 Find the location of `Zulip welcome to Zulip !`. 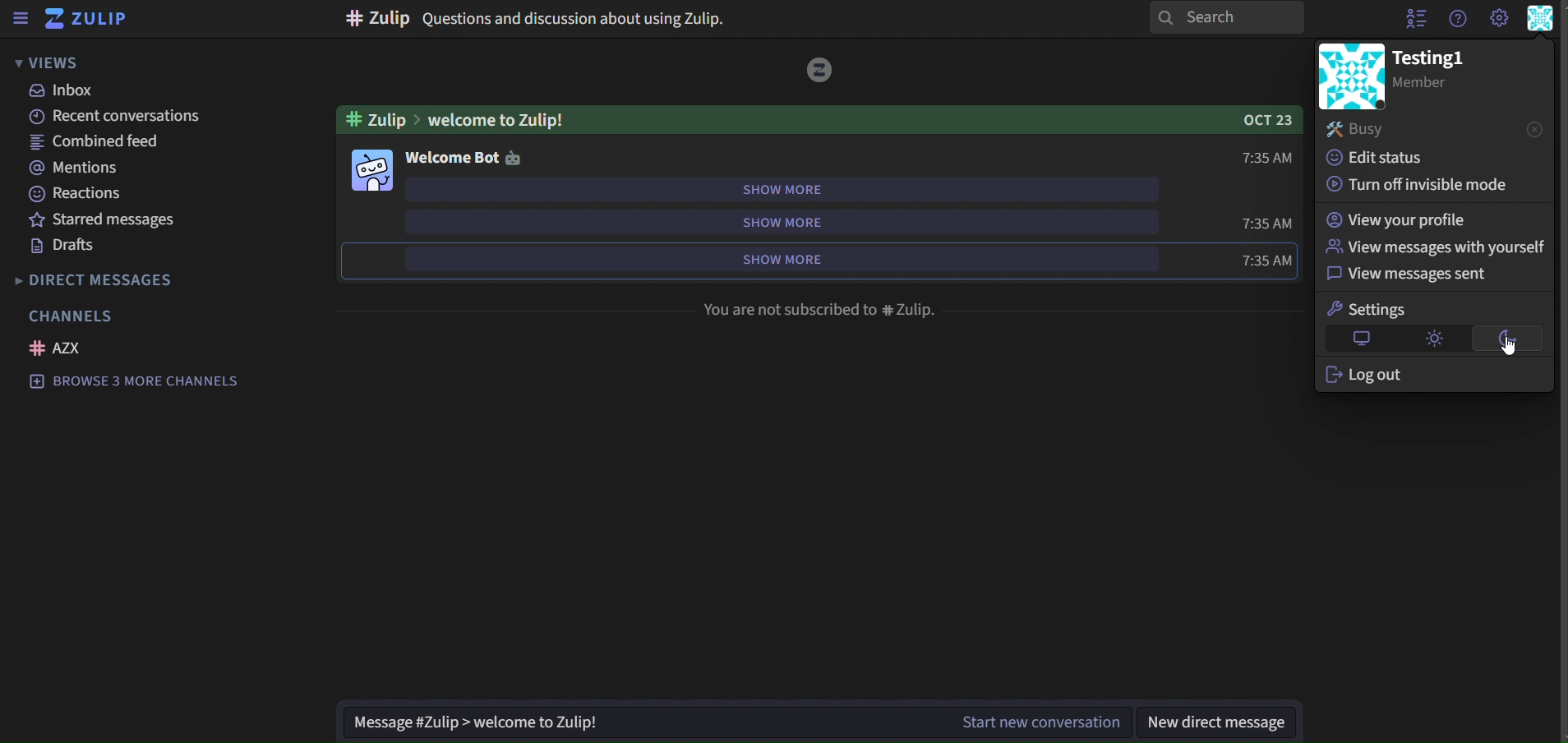

Zulip welcome to Zulip ! is located at coordinates (454, 118).